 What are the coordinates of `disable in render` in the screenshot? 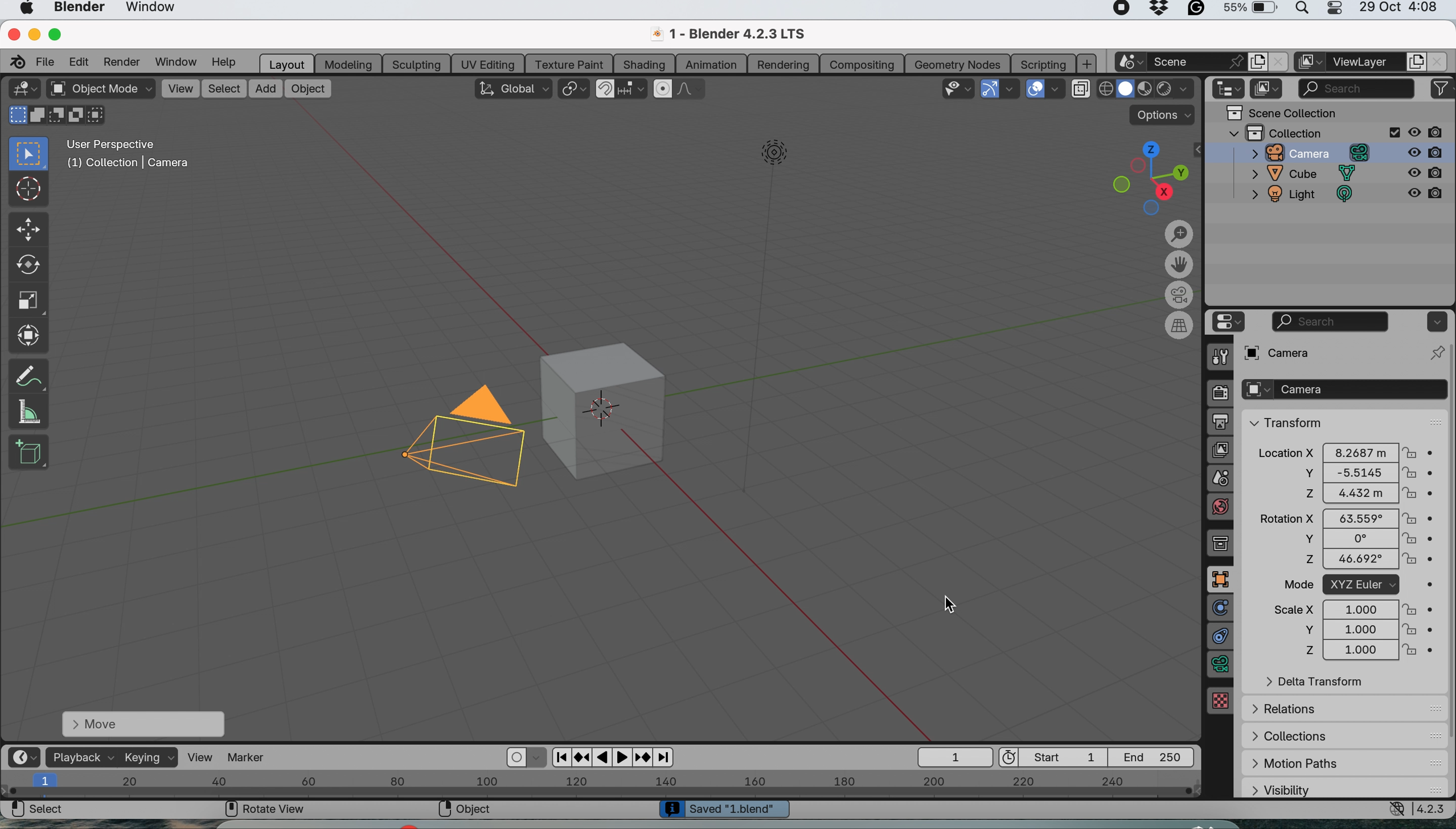 It's located at (1428, 151).